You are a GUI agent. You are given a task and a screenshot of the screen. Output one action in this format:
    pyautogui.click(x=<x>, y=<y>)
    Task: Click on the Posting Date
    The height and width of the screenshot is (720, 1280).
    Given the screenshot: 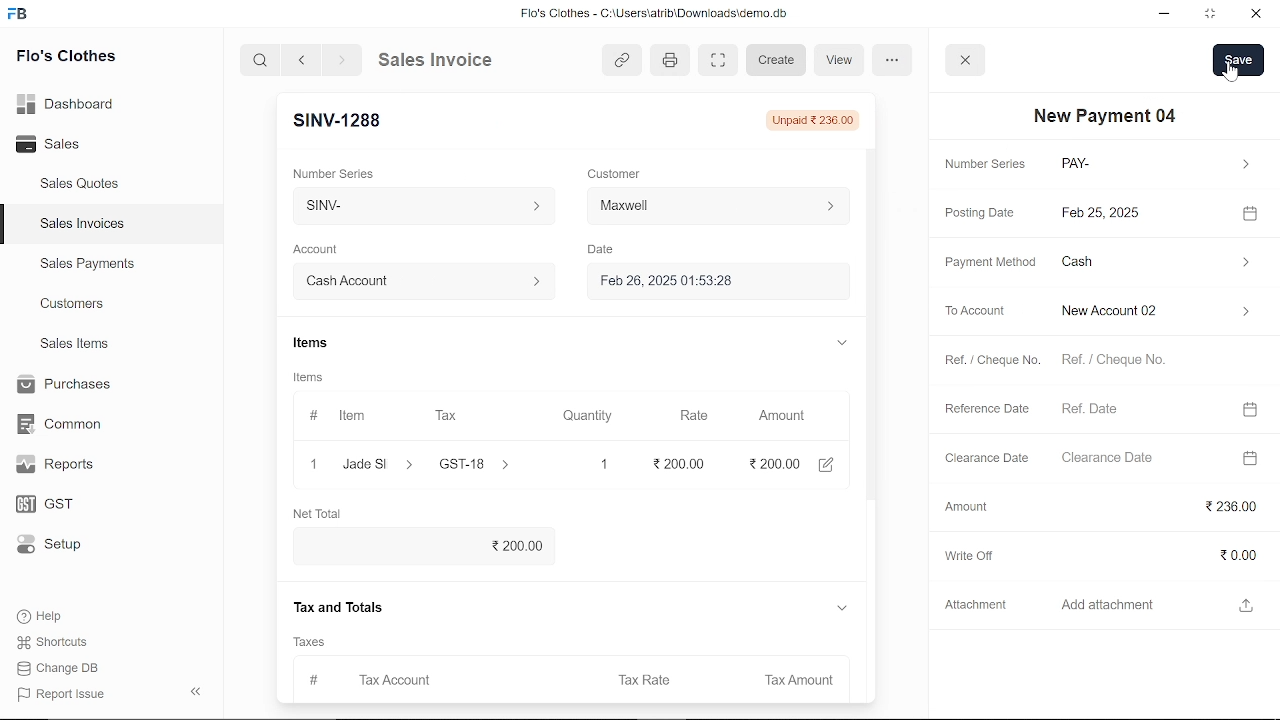 What is the action you would take?
    pyautogui.click(x=979, y=214)
    